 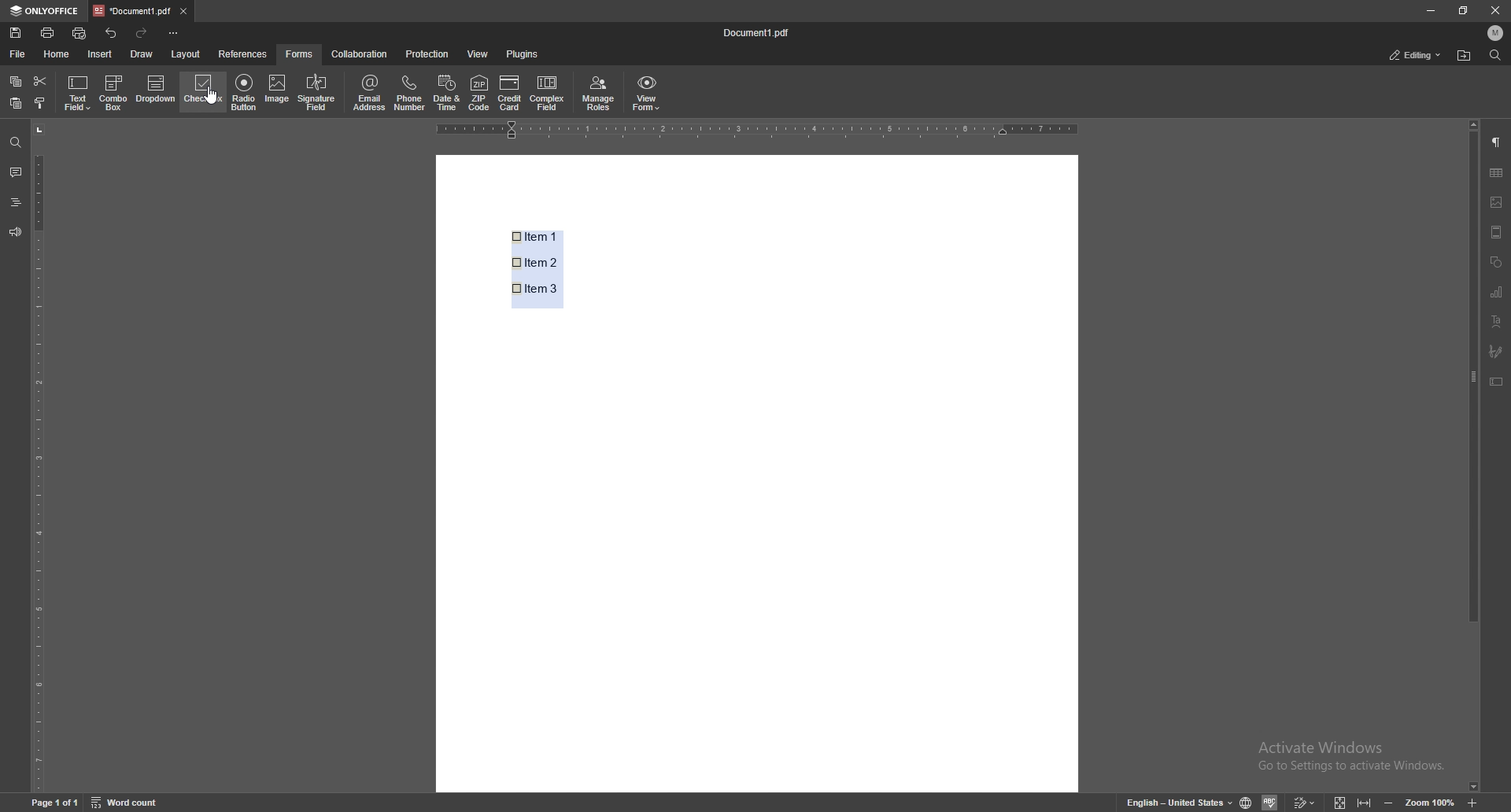 What do you see at coordinates (132, 10) in the screenshot?
I see `tab` at bounding box center [132, 10].